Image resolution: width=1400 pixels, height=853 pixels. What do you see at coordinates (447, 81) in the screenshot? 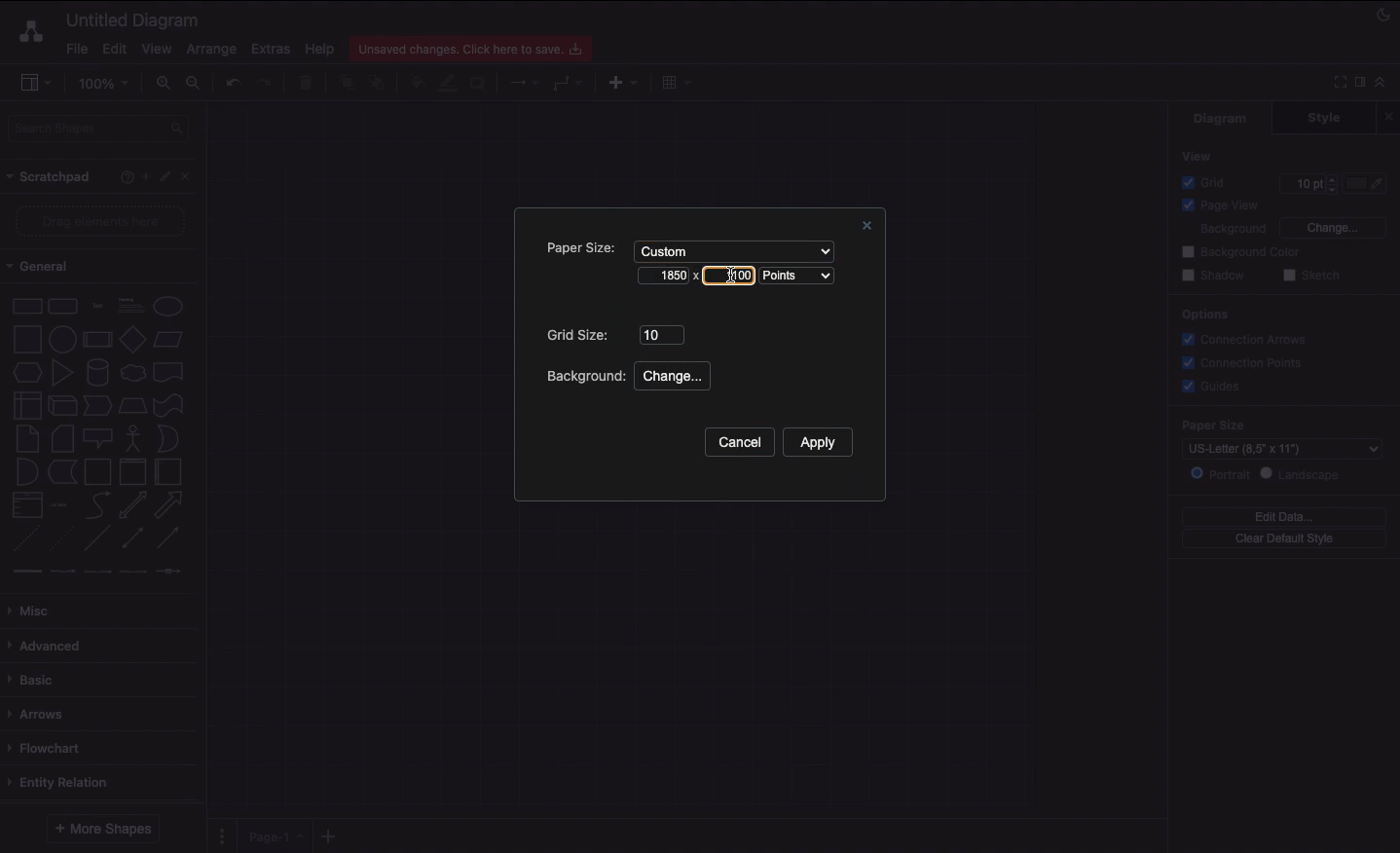
I see `Line color` at bounding box center [447, 81].